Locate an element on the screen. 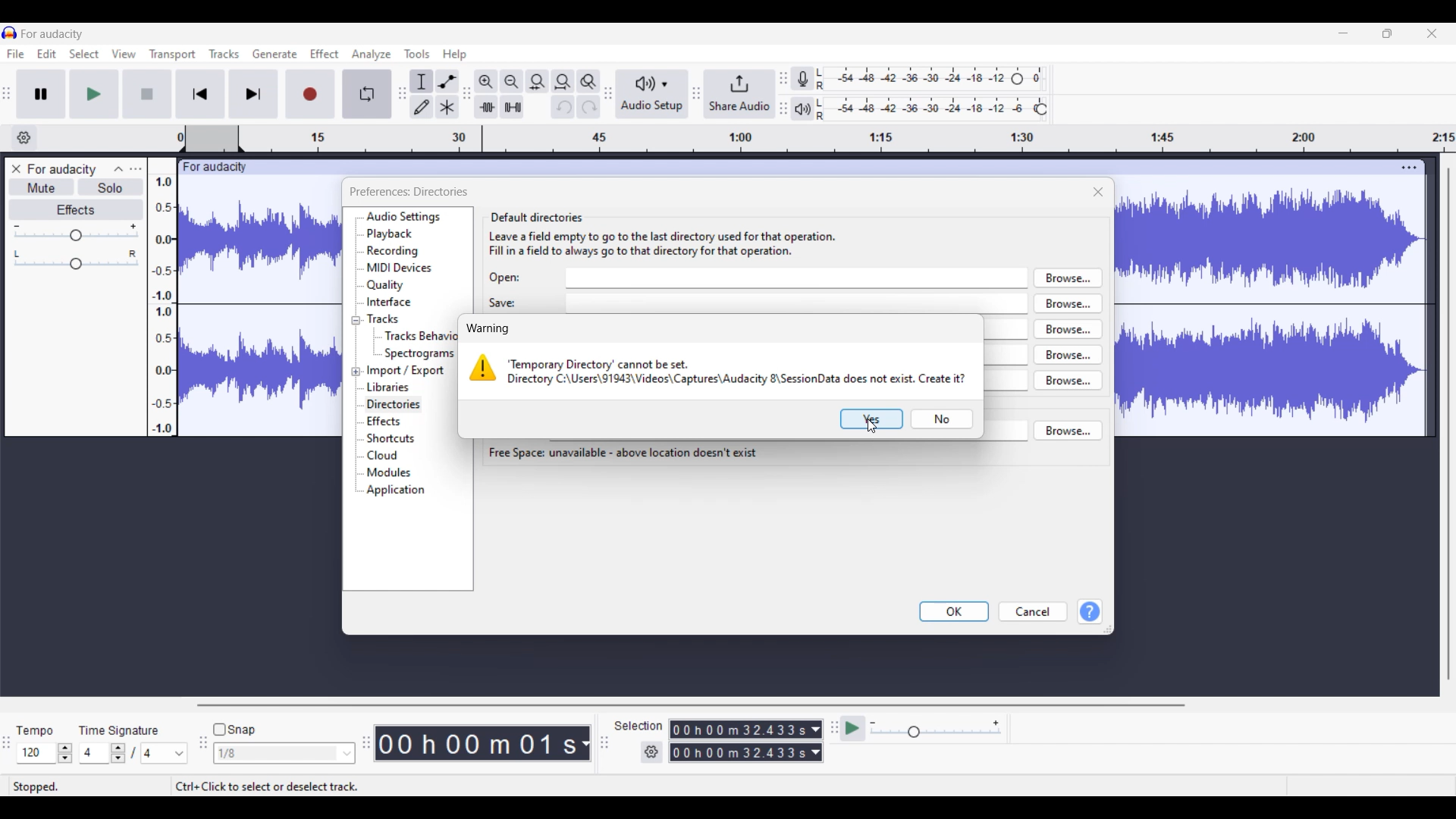 Image resolution: width=1456 pixels, height=819 pixels. Zoom out is located at coordinates (512, 82).